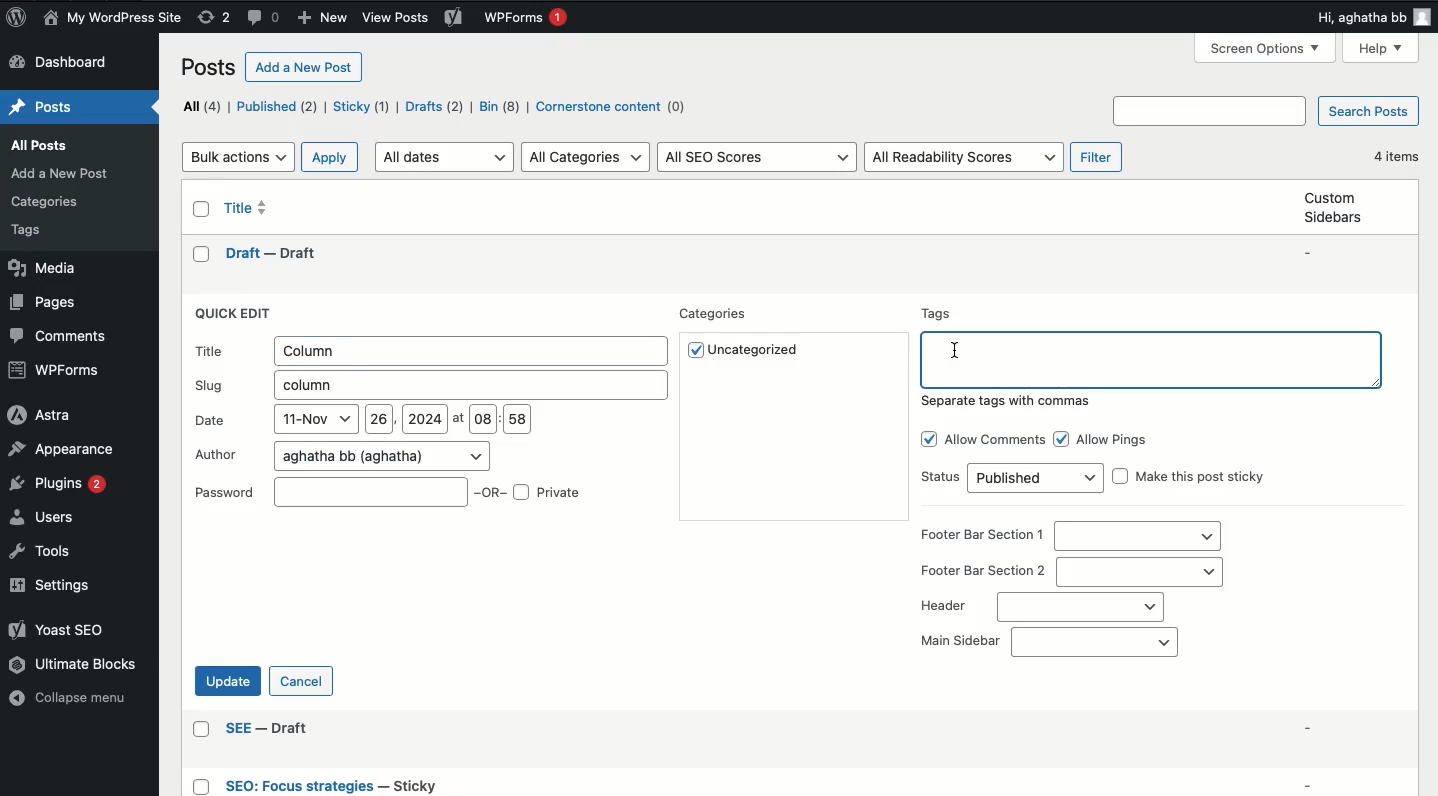  I want to click on Yoast, so click(455, 22).